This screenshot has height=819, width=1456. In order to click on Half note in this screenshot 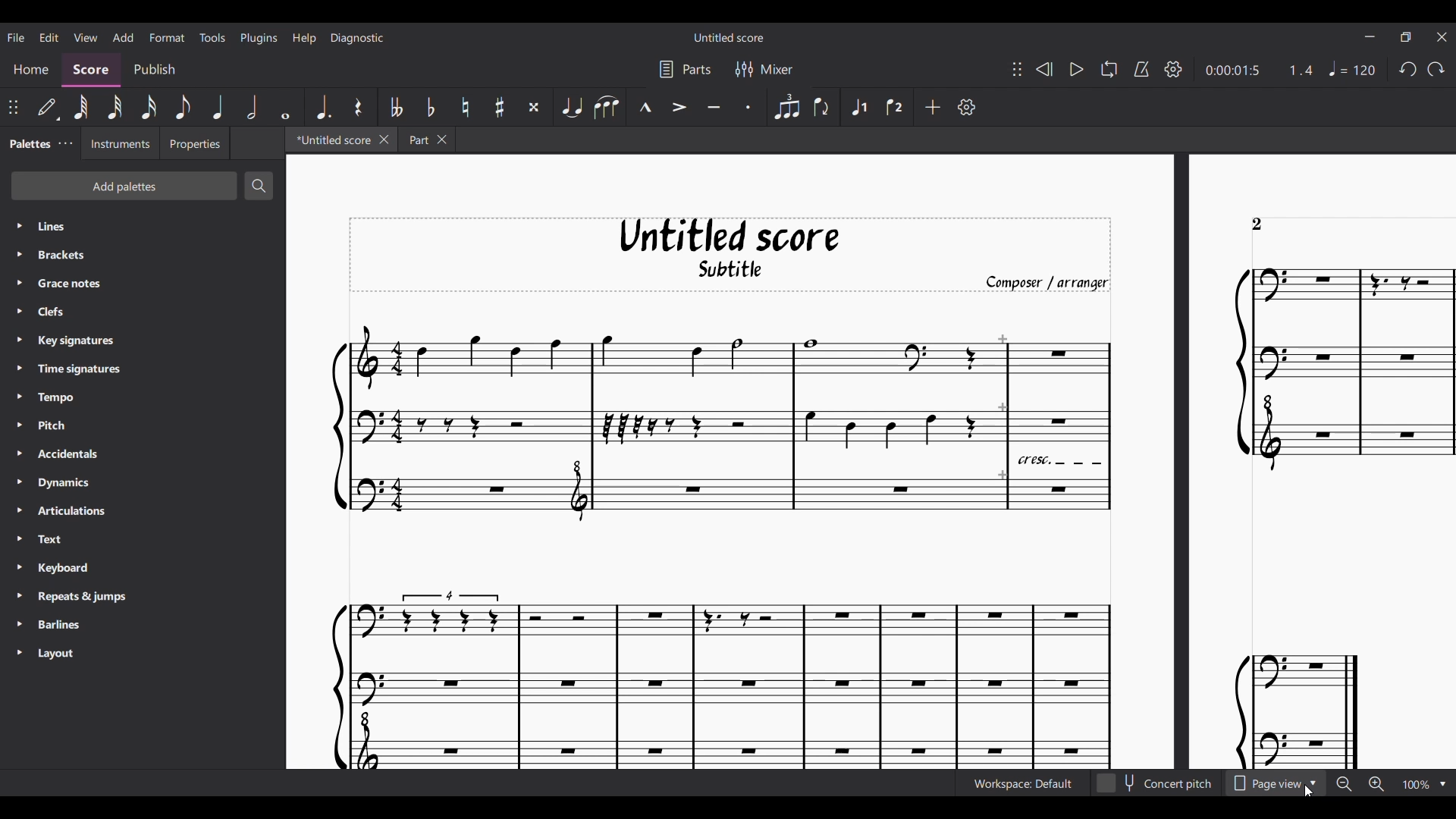, I will do `click(252, 107)`.